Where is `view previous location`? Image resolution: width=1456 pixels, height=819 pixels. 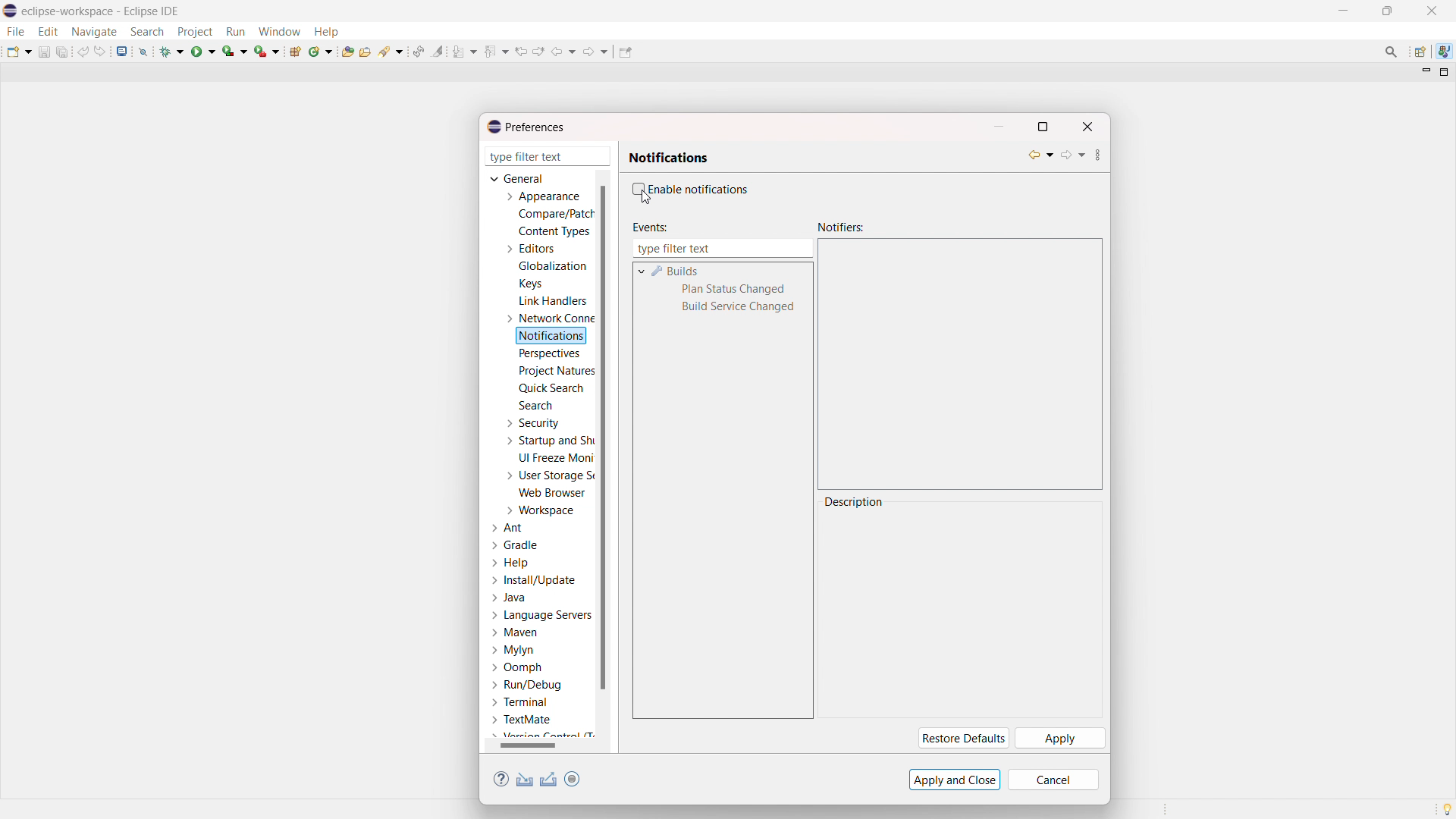
view previous location is located at coordinates (521, 51).